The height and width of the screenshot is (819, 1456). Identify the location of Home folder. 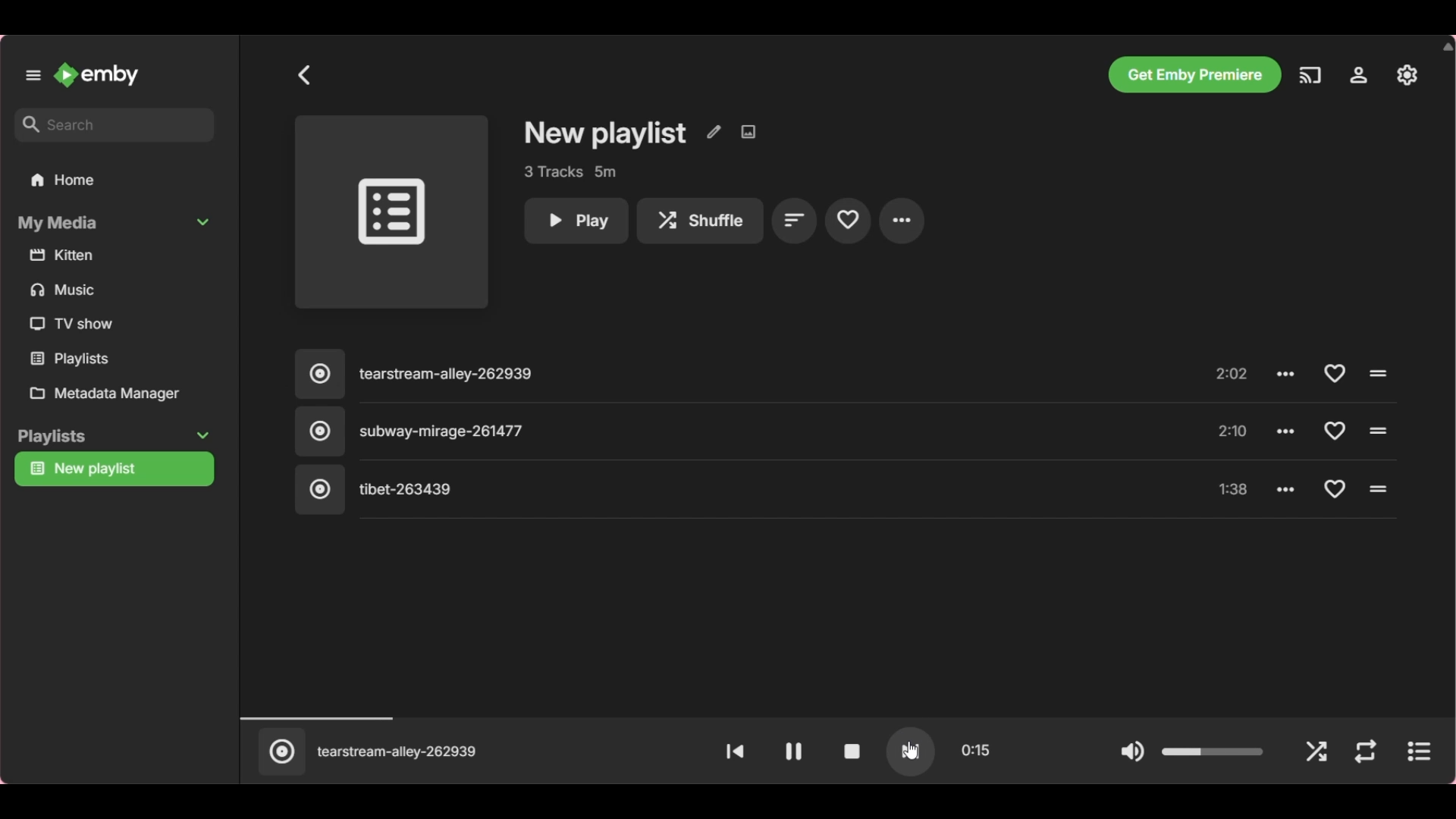
(116, 180).